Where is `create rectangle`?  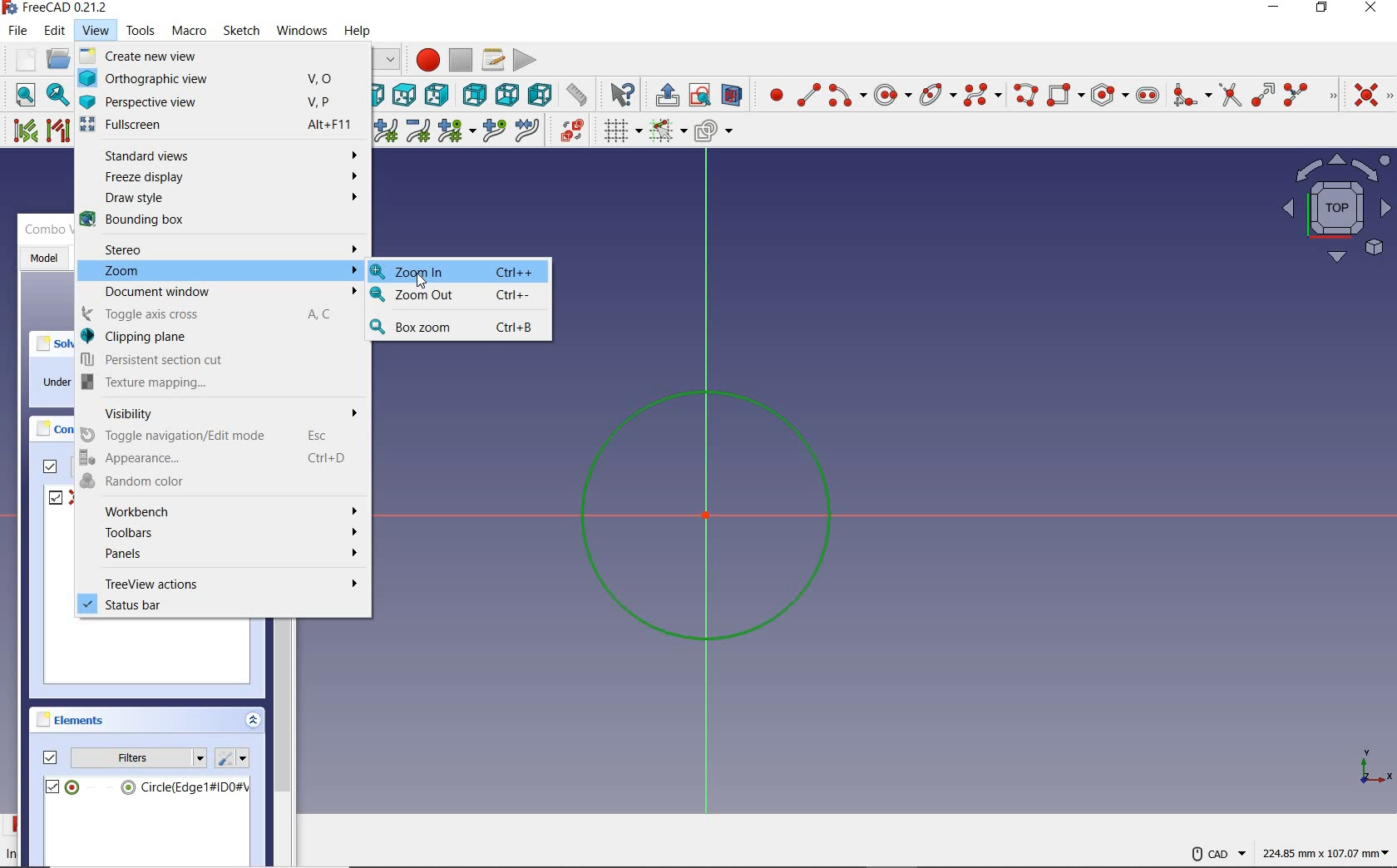 create rectangle is located at coordinates (1066, 95).